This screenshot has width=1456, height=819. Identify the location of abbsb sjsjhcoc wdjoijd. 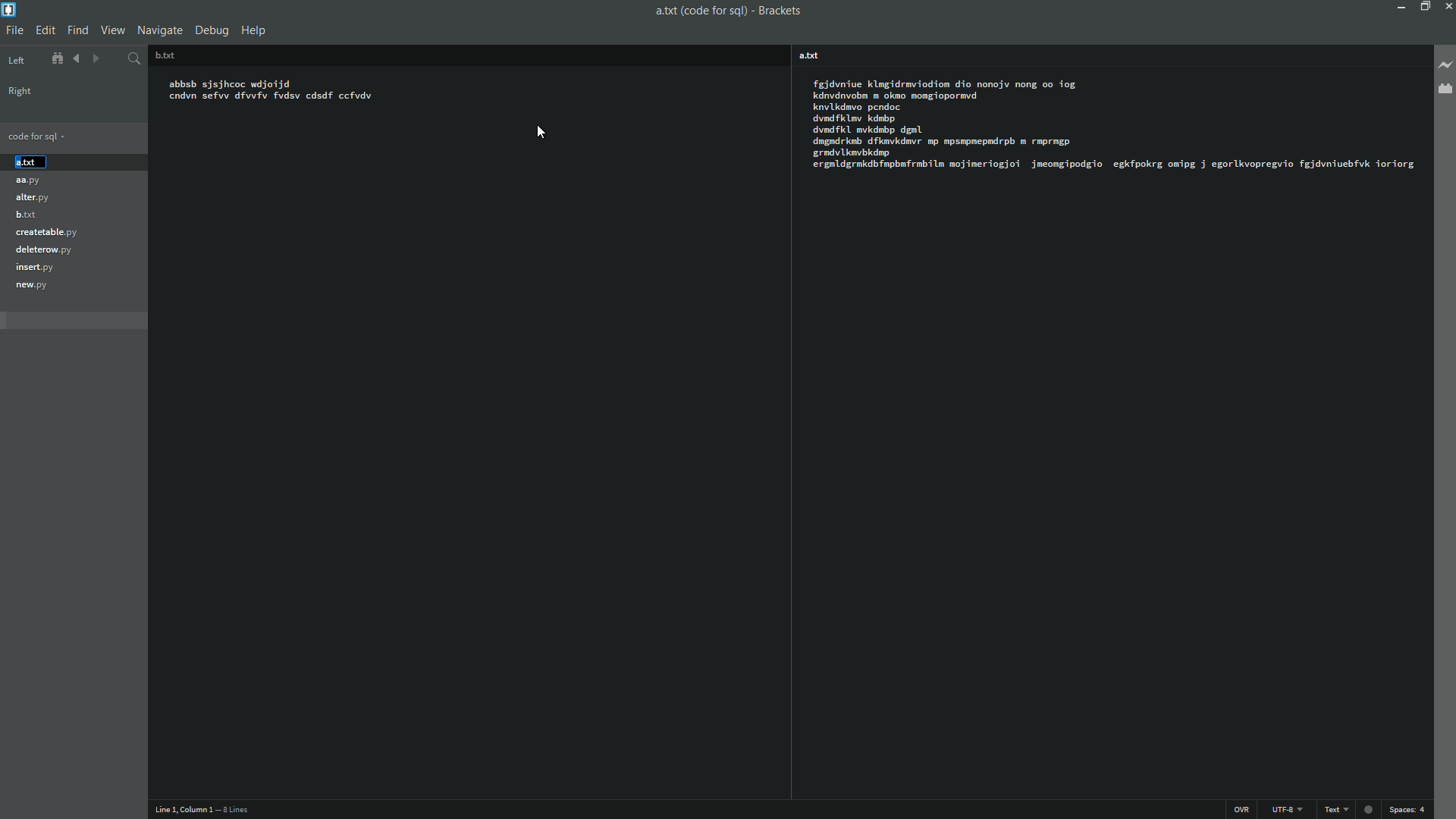
(236, 82).